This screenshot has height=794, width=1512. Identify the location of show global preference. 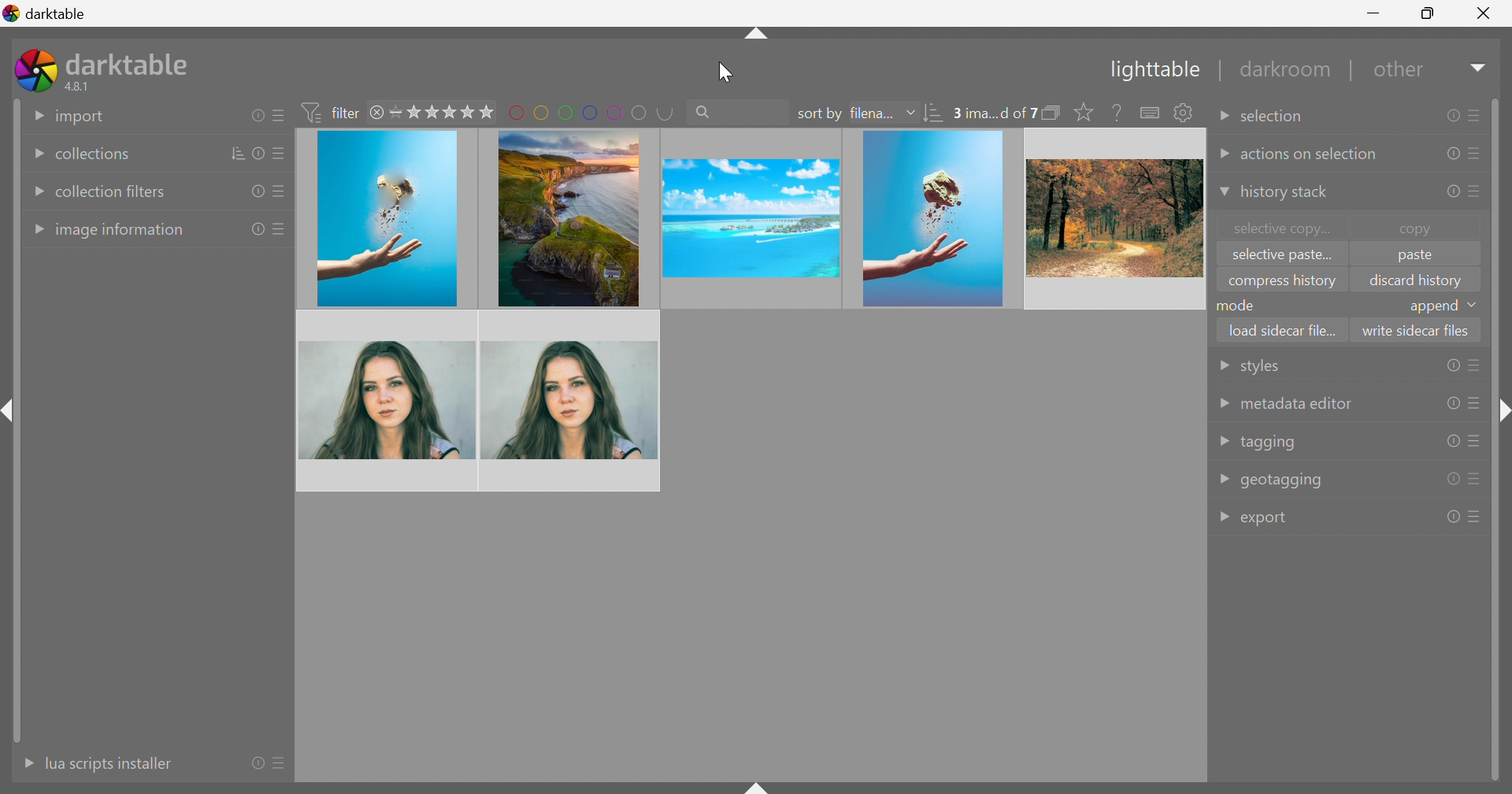
(1182, 112).